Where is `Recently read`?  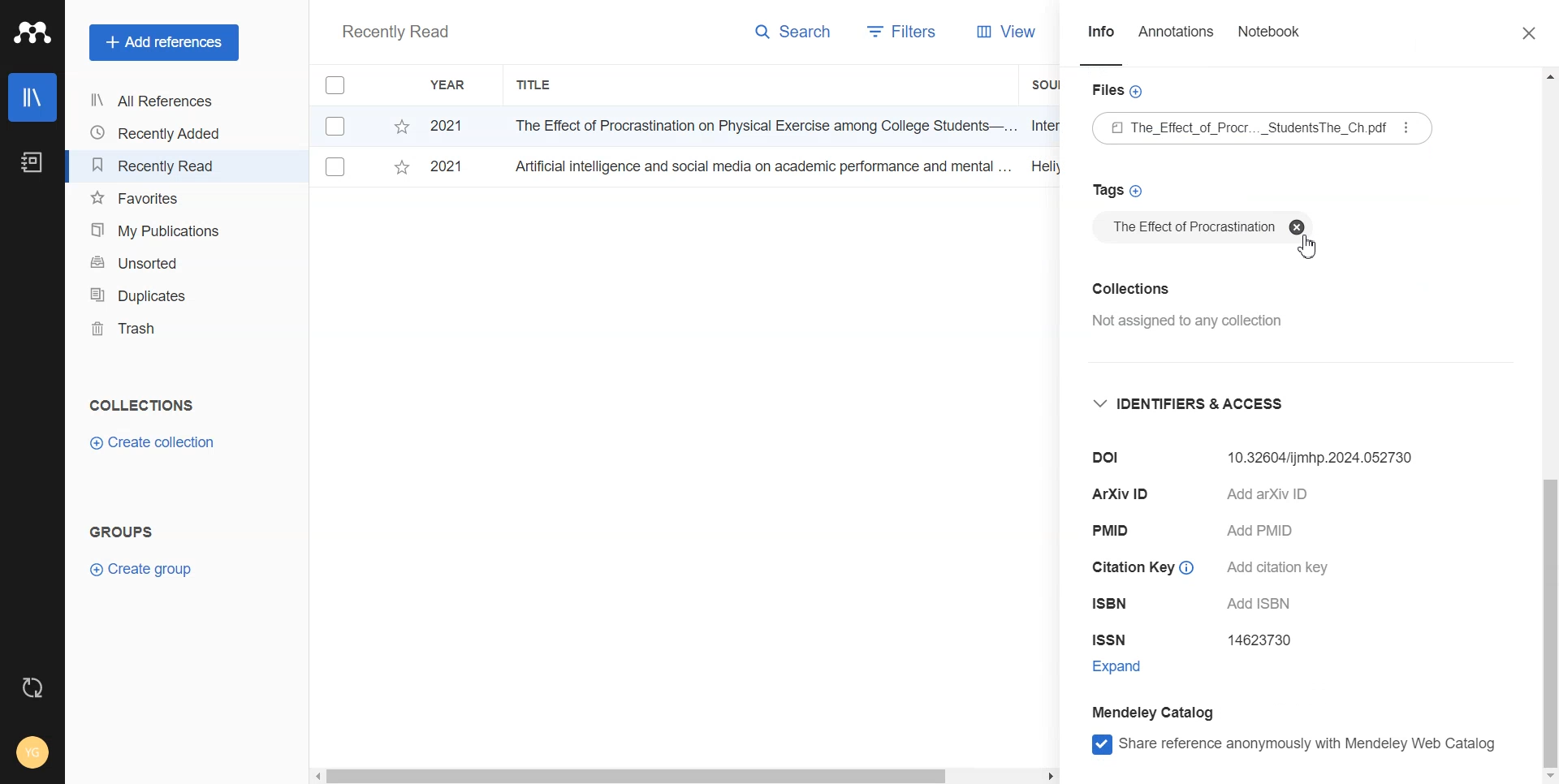 Recently read is located at coordinates (395, 33).